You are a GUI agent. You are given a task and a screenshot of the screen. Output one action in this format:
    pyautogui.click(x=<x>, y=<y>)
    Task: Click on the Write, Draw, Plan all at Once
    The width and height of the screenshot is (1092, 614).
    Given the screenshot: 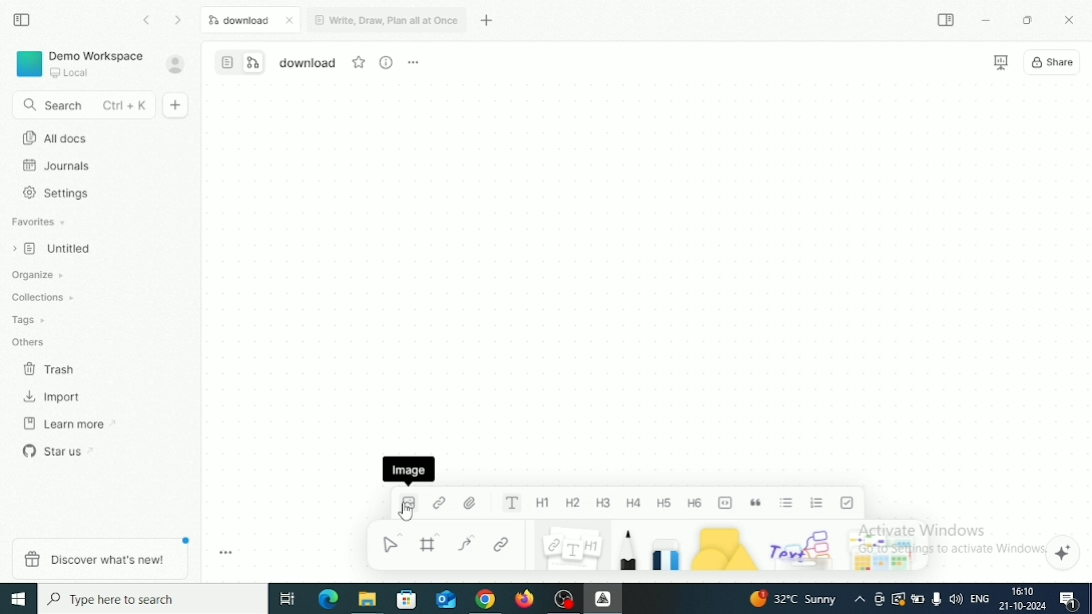 What is the action you would take?
    pyautogui.click(x=386, y=18)
    